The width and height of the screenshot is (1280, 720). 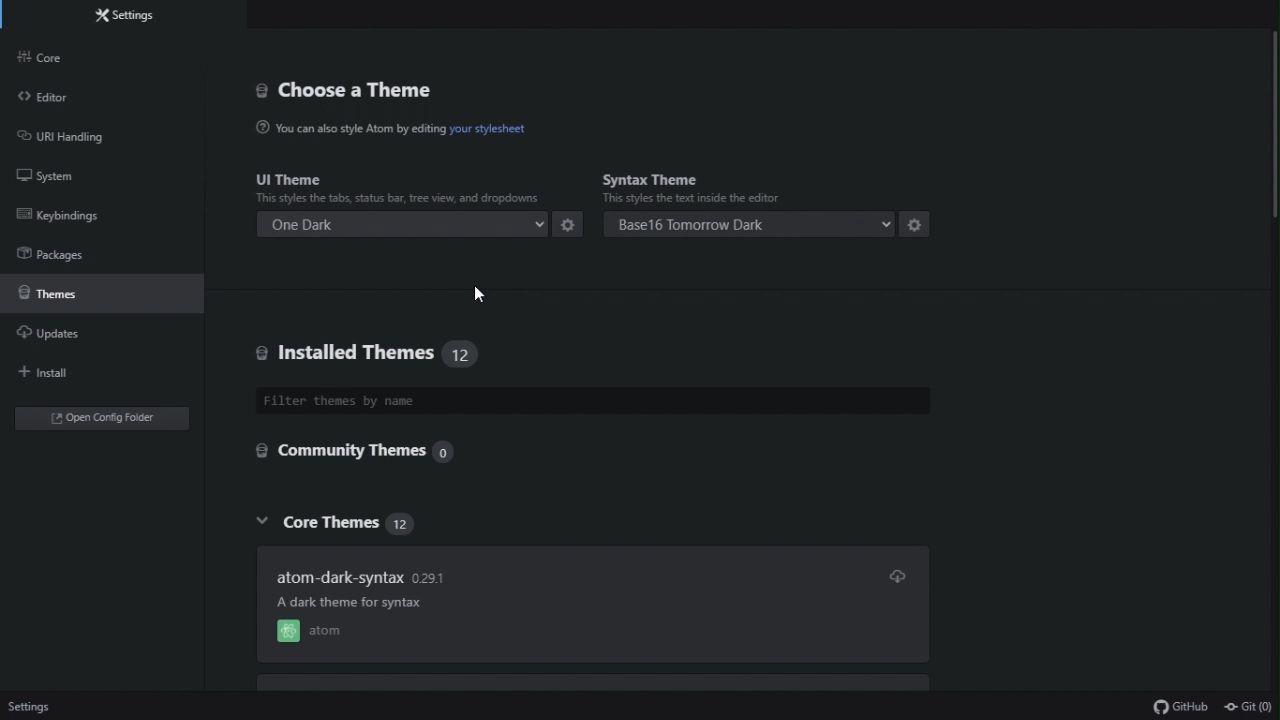 What do you see at coordinates (751, 226) in the screenshot?
I see `base16 tomorrow dark` at bounding box center [751, 226].